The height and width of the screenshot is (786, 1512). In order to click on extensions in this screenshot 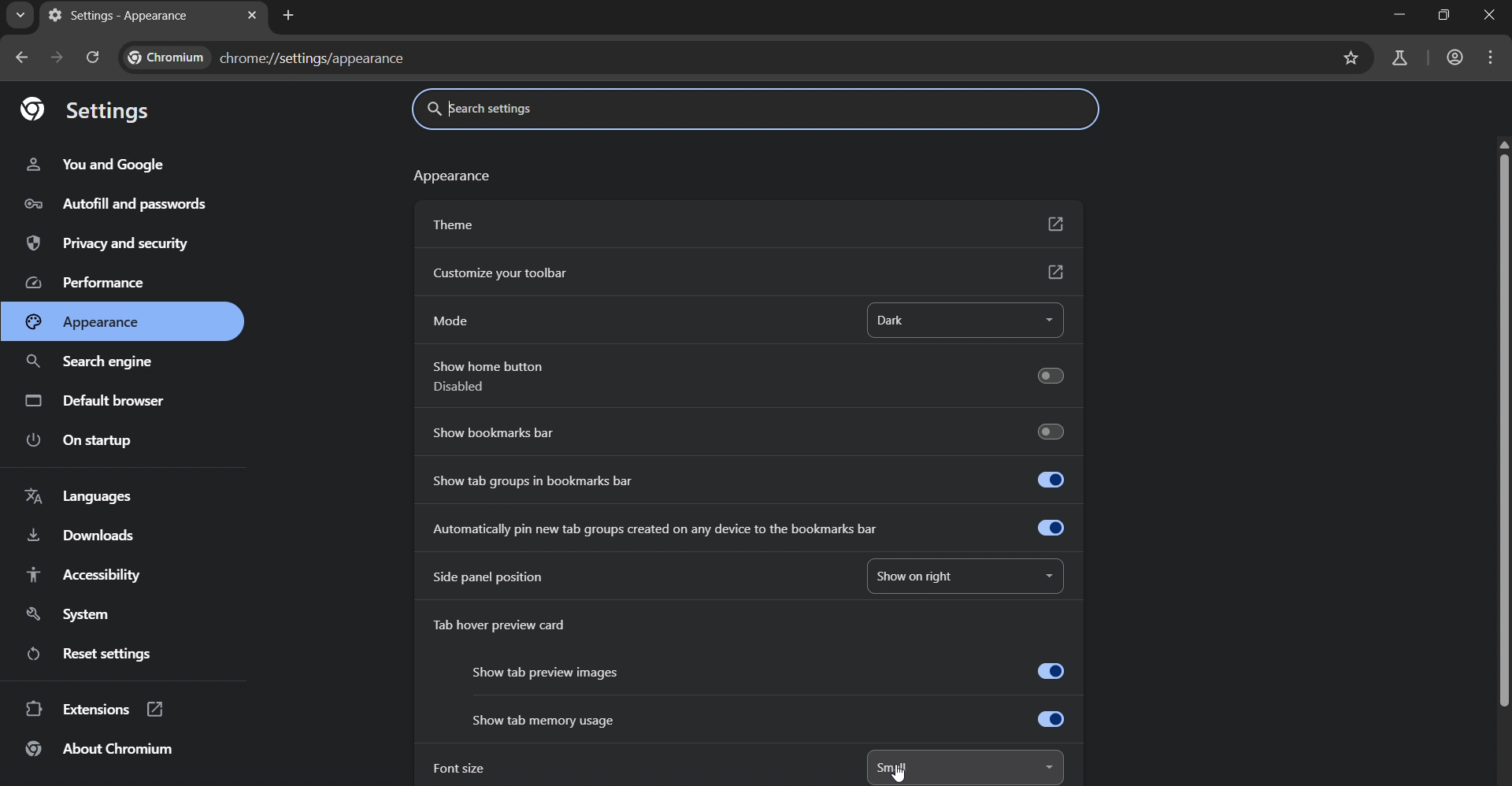, I will do `click(93, 710)`.